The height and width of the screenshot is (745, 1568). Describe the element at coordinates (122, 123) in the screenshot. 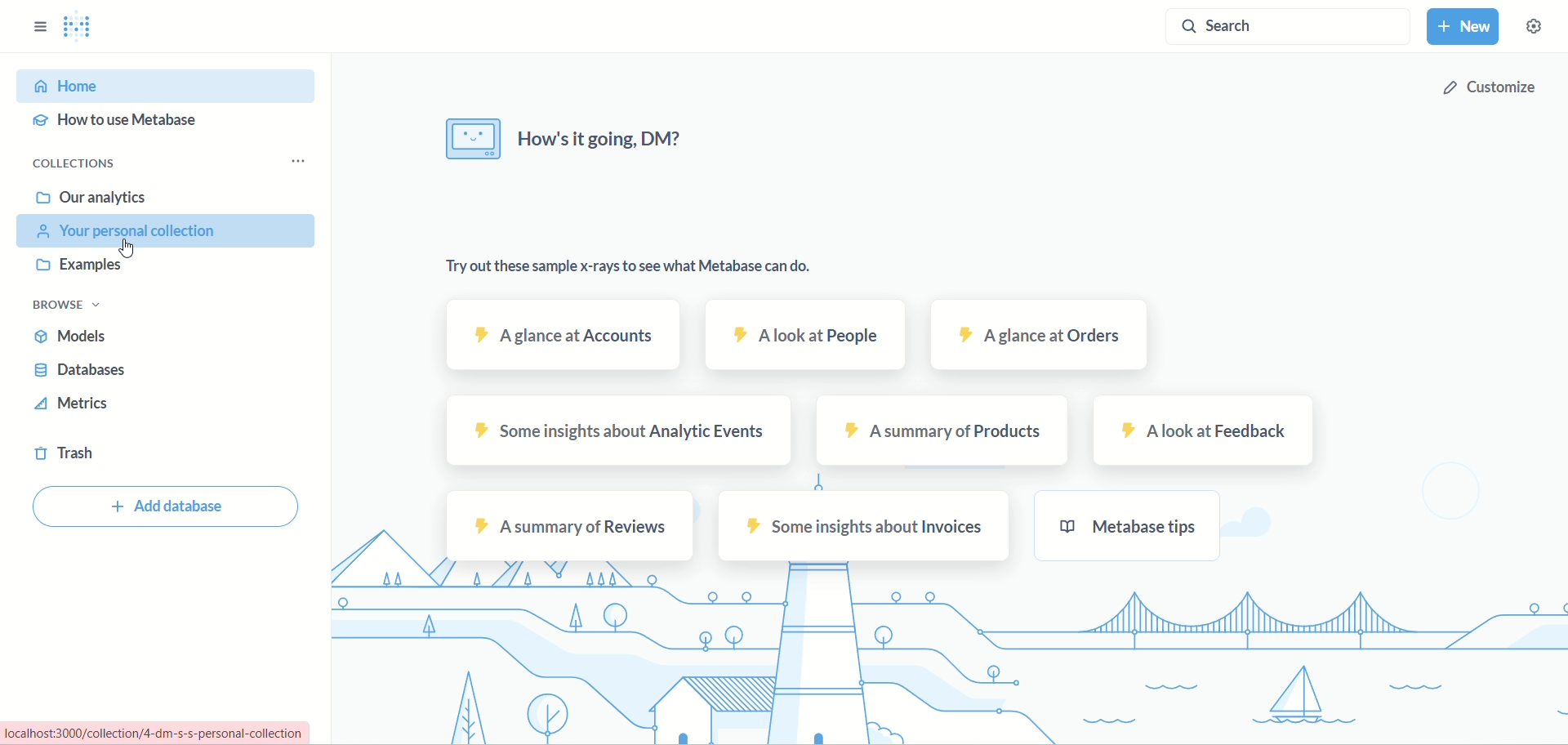

I see `how to use metabase` at that location.